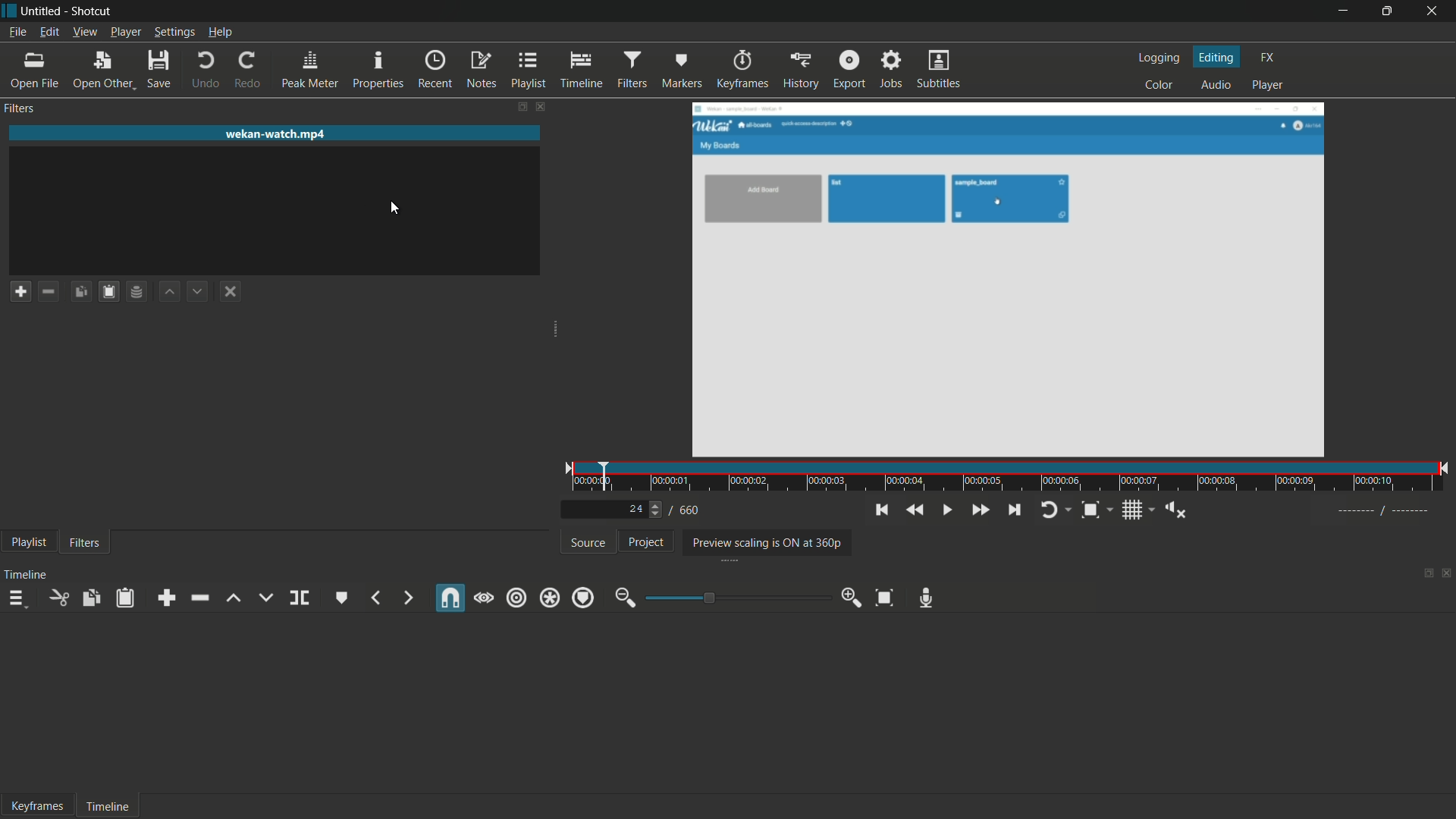  Describe the element at coordinates (276, 134) in the screenshot. I see `imported file name` at that location.